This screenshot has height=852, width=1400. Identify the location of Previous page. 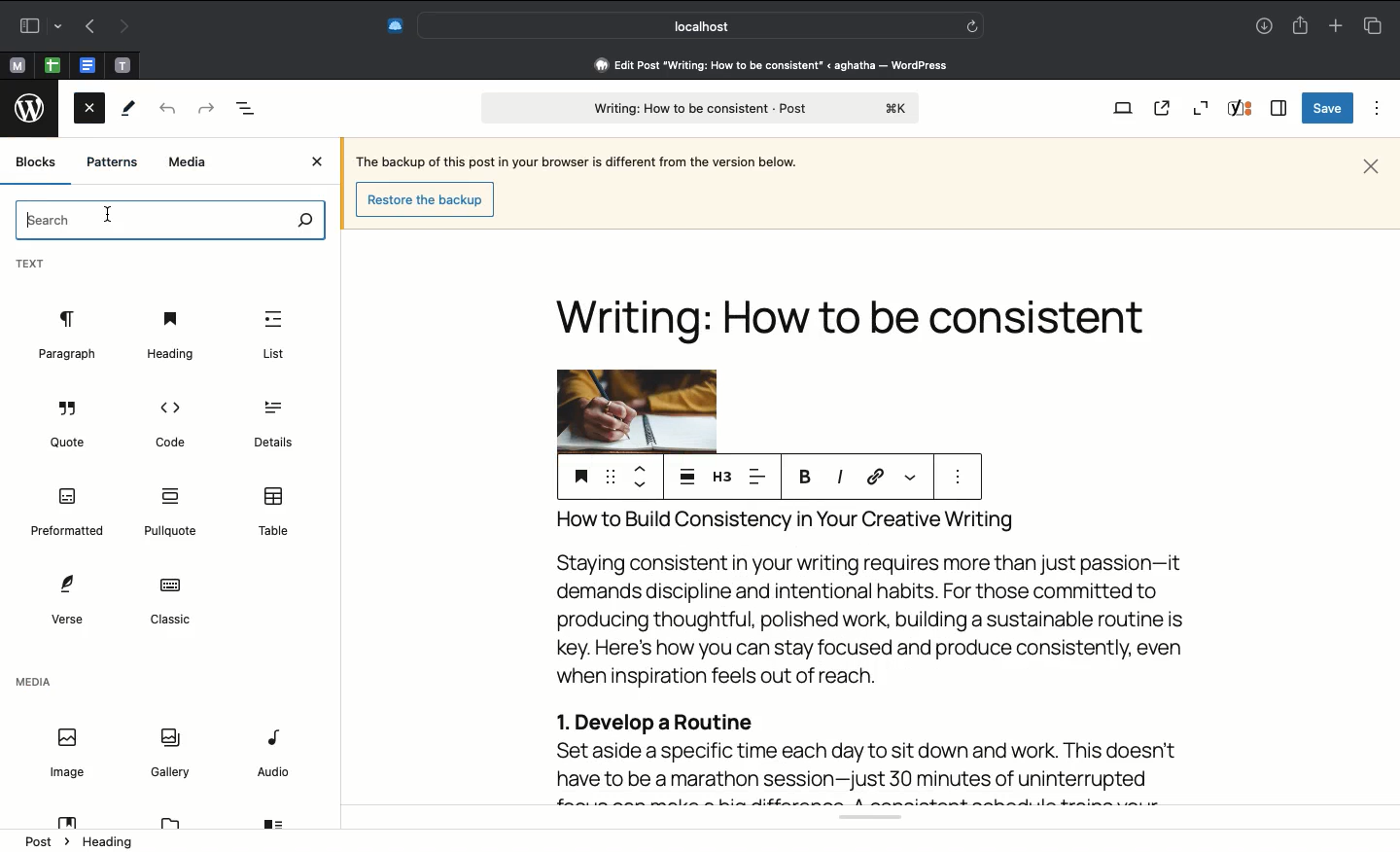
(87, 28).